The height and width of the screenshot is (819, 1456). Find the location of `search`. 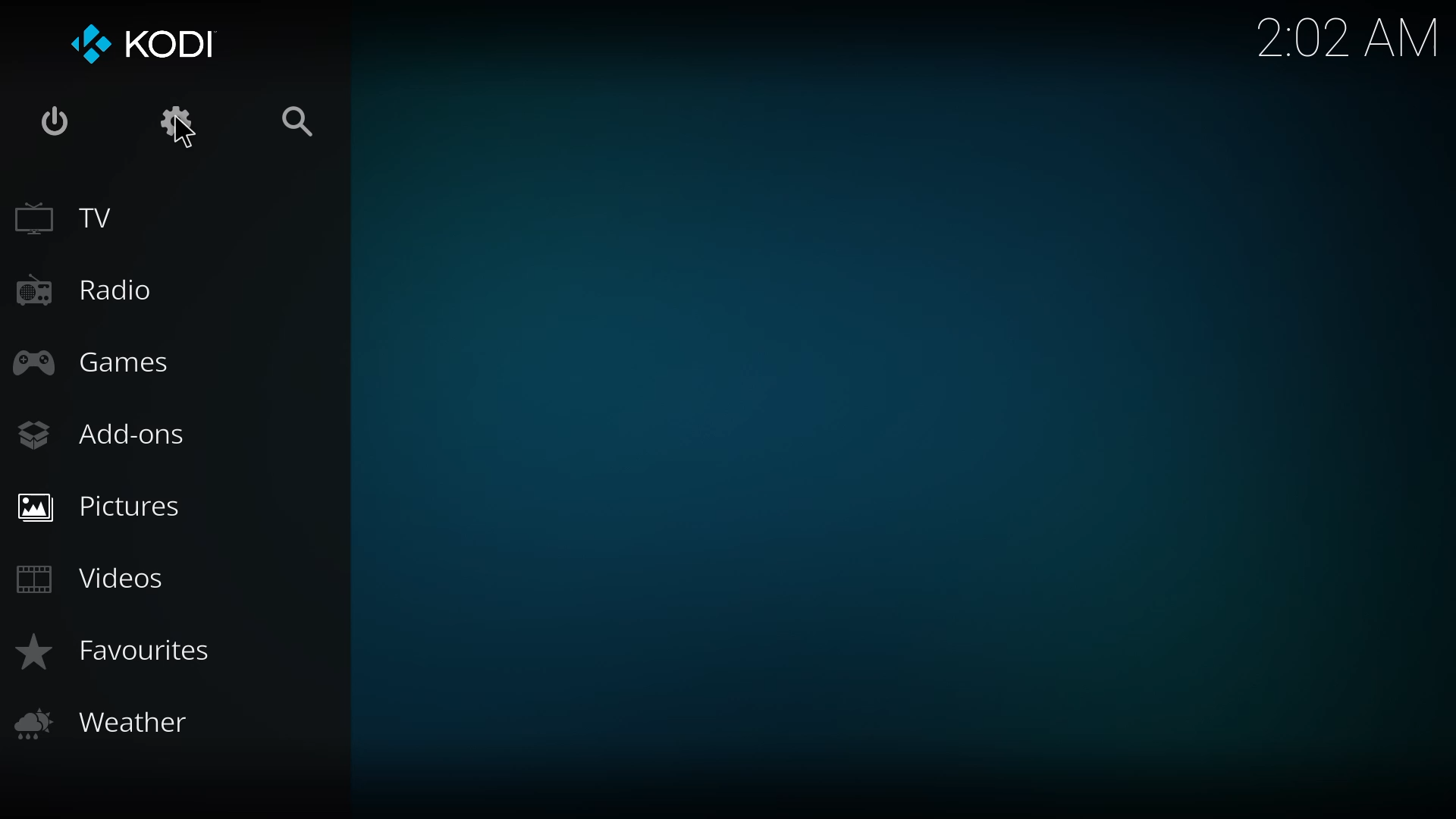

search is located at coordinates (297, 121).